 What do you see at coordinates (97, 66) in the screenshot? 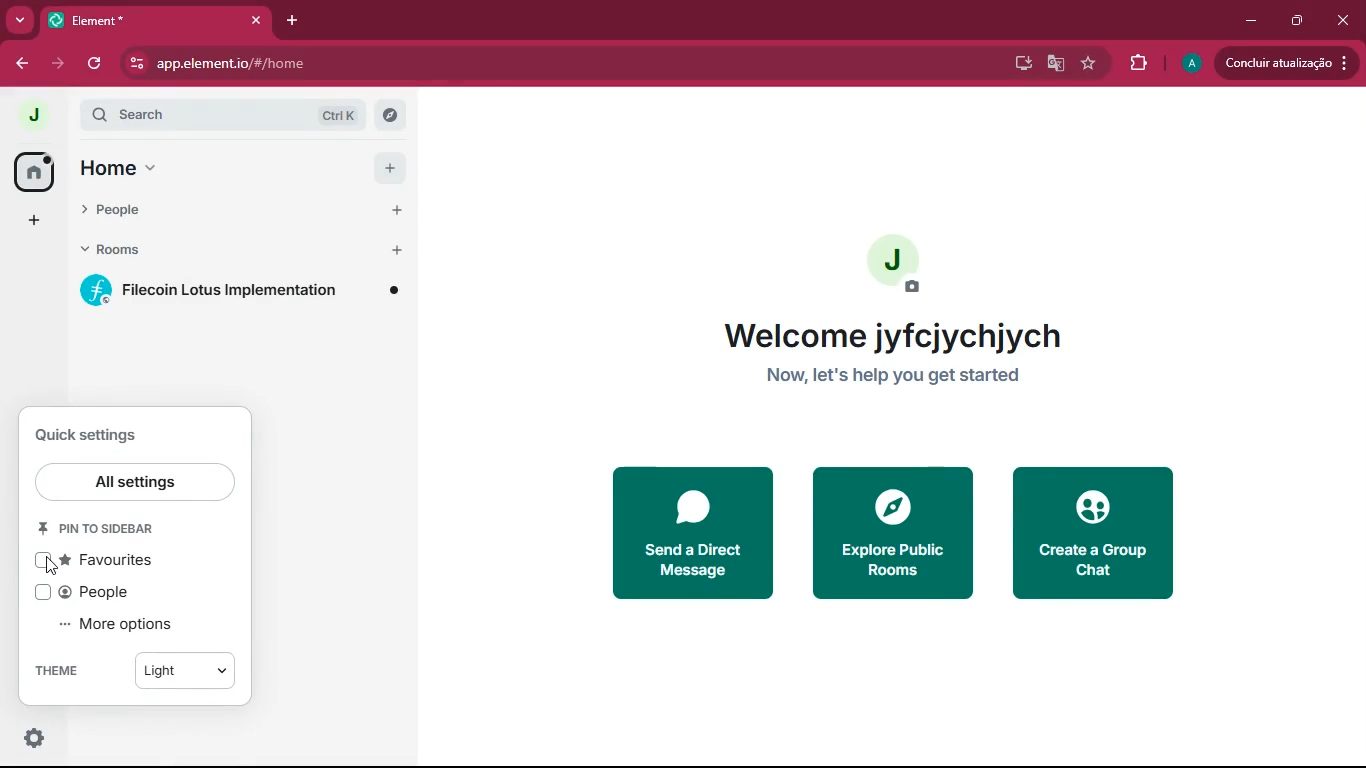
I see `refresh` at bounding box center [97, 66].